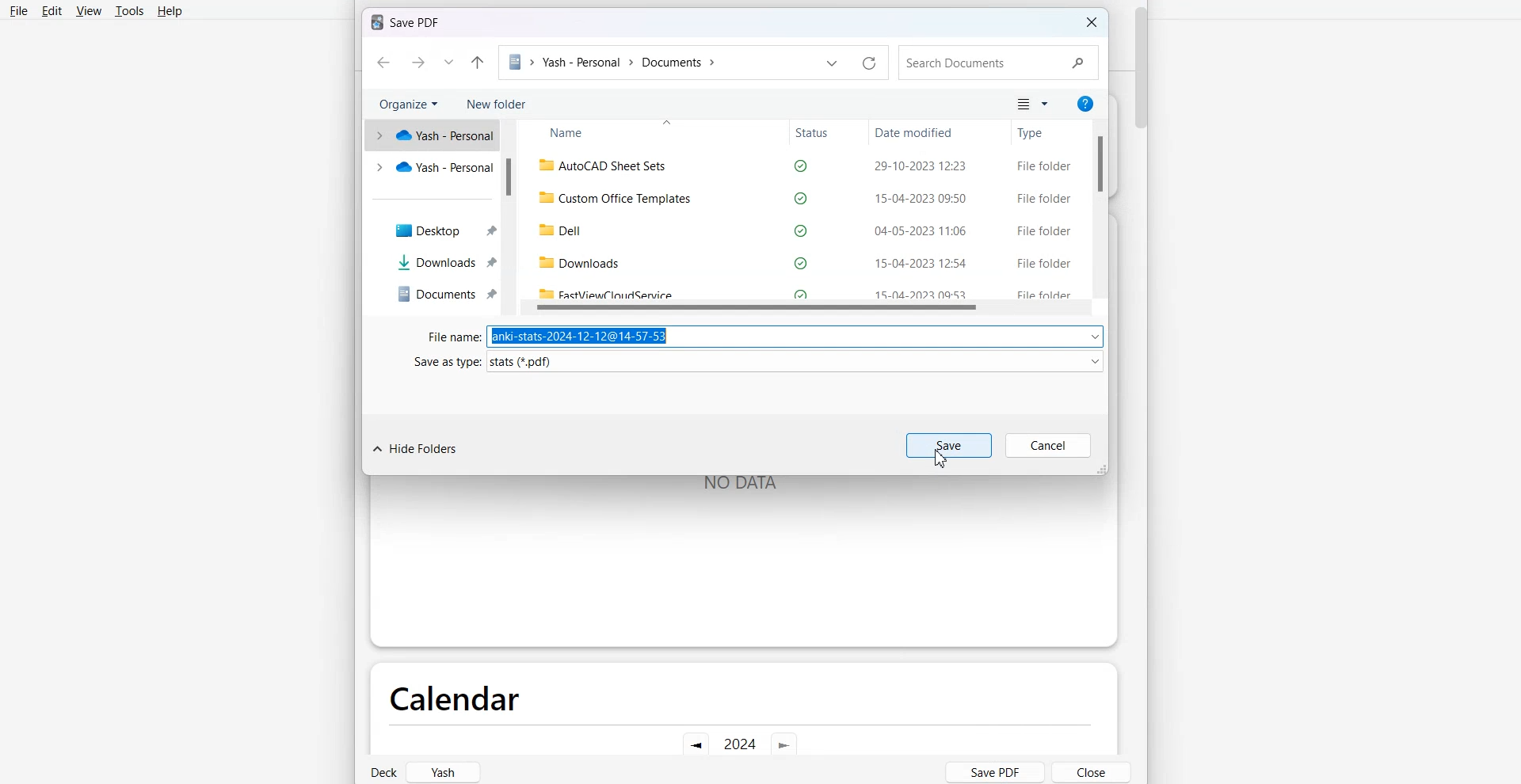  Describe the element at coordinates (802, 164) in the screenshot. I see `autocad sheet sets` at that location.